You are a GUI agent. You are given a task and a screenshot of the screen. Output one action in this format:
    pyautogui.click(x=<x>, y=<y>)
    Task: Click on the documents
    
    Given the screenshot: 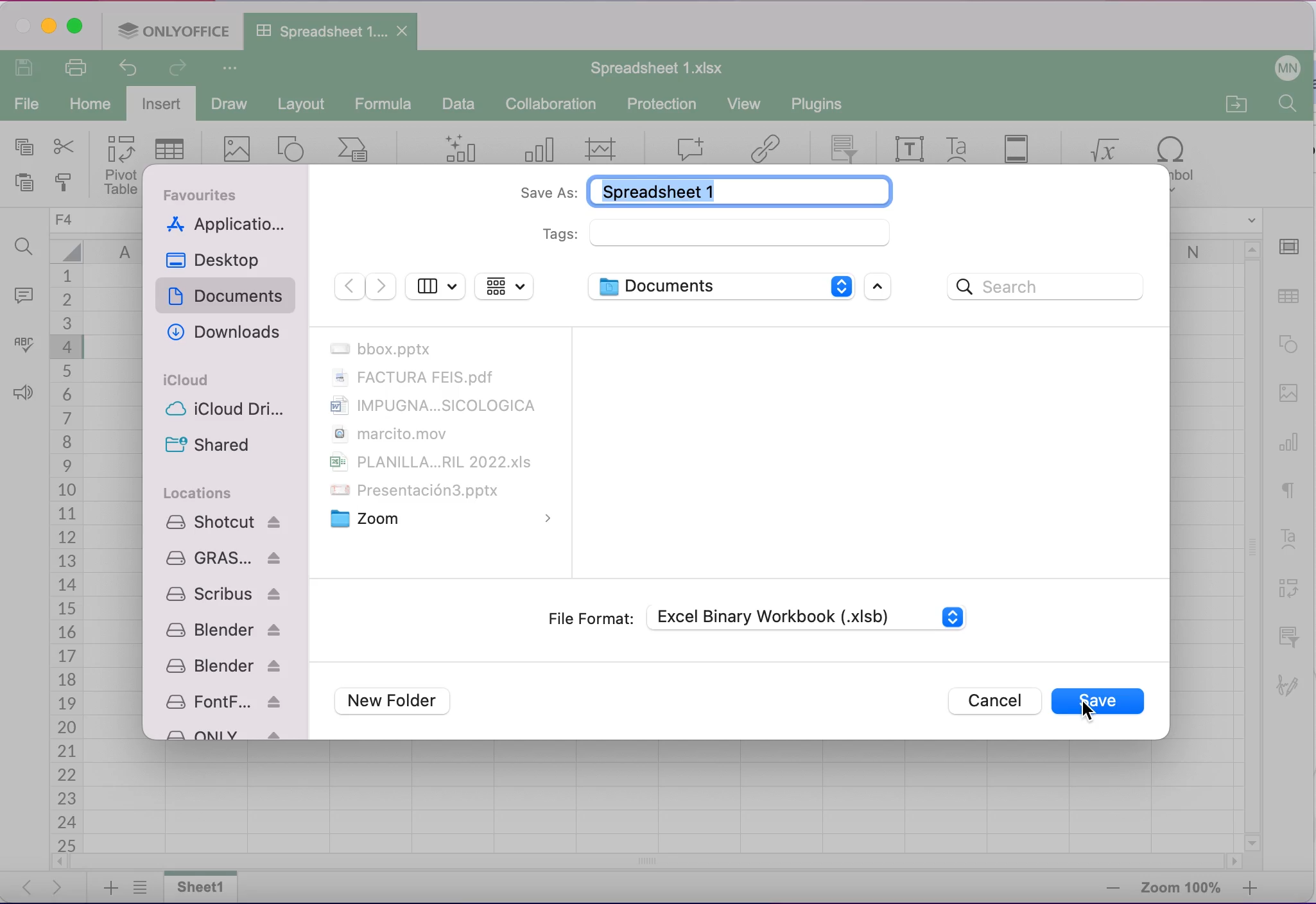 What is the action you would take?
    pyautogui.click(x=229, y=297)
    